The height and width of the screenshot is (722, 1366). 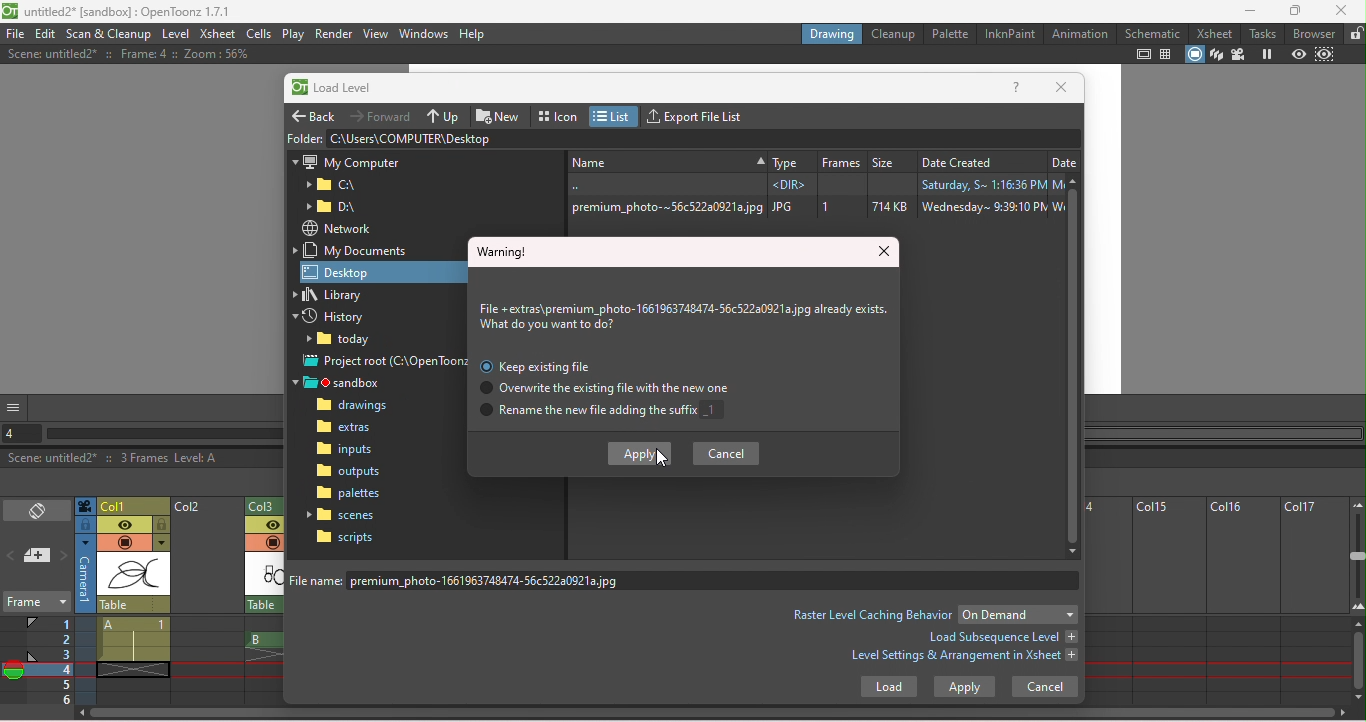 What do you see at coordinates (85, 506) in the screenshot?
I see `Click to select camera` at bounding box center [85, 506].